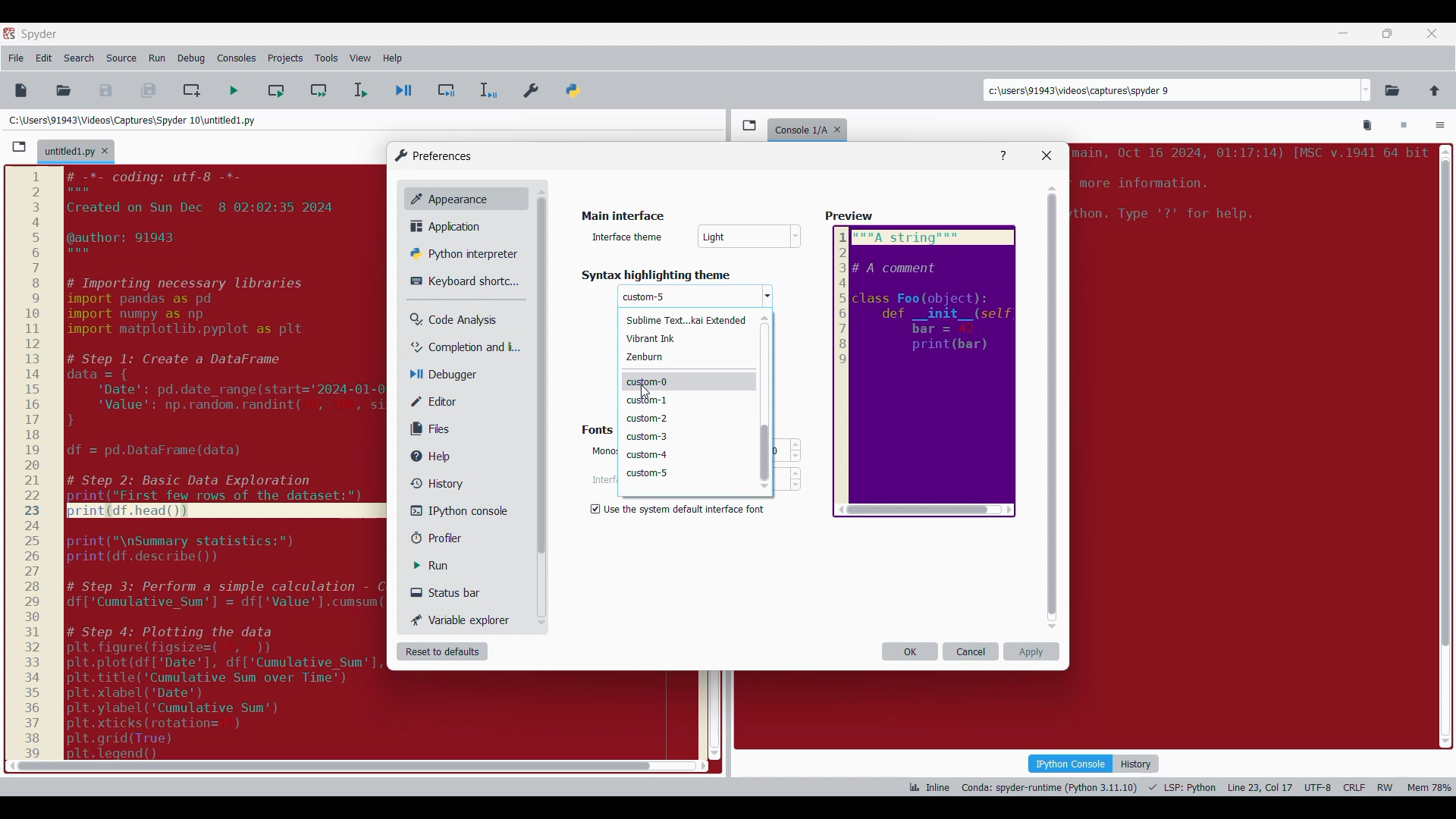 The height and width of the screenshot is (819, 1456). What do you see at coordinates (20, 90) in the screenshot?
I see `New file` at bounding box center [20, 90].